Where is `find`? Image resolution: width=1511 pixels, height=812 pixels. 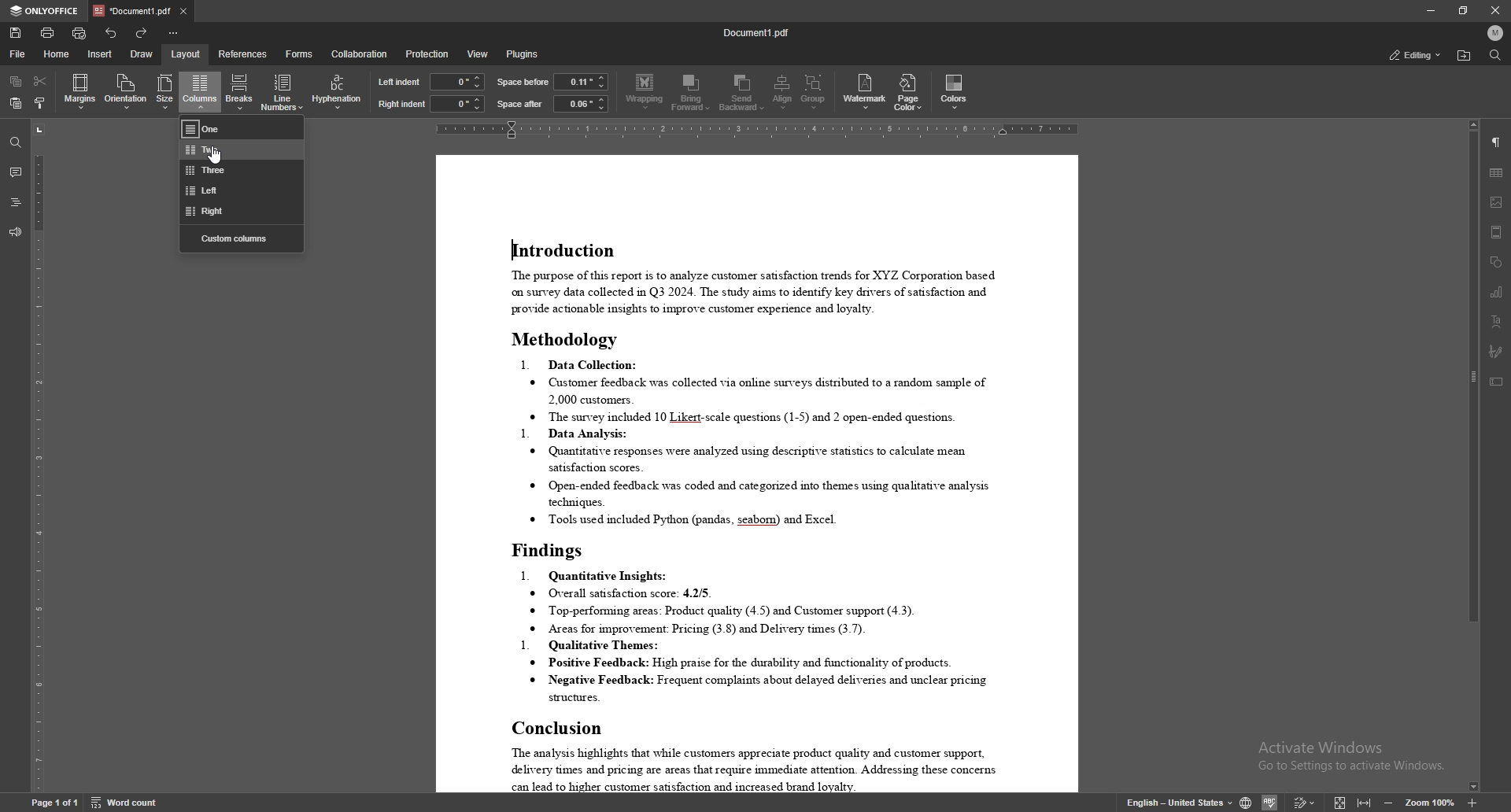 find is located at coordinates (16, 142).